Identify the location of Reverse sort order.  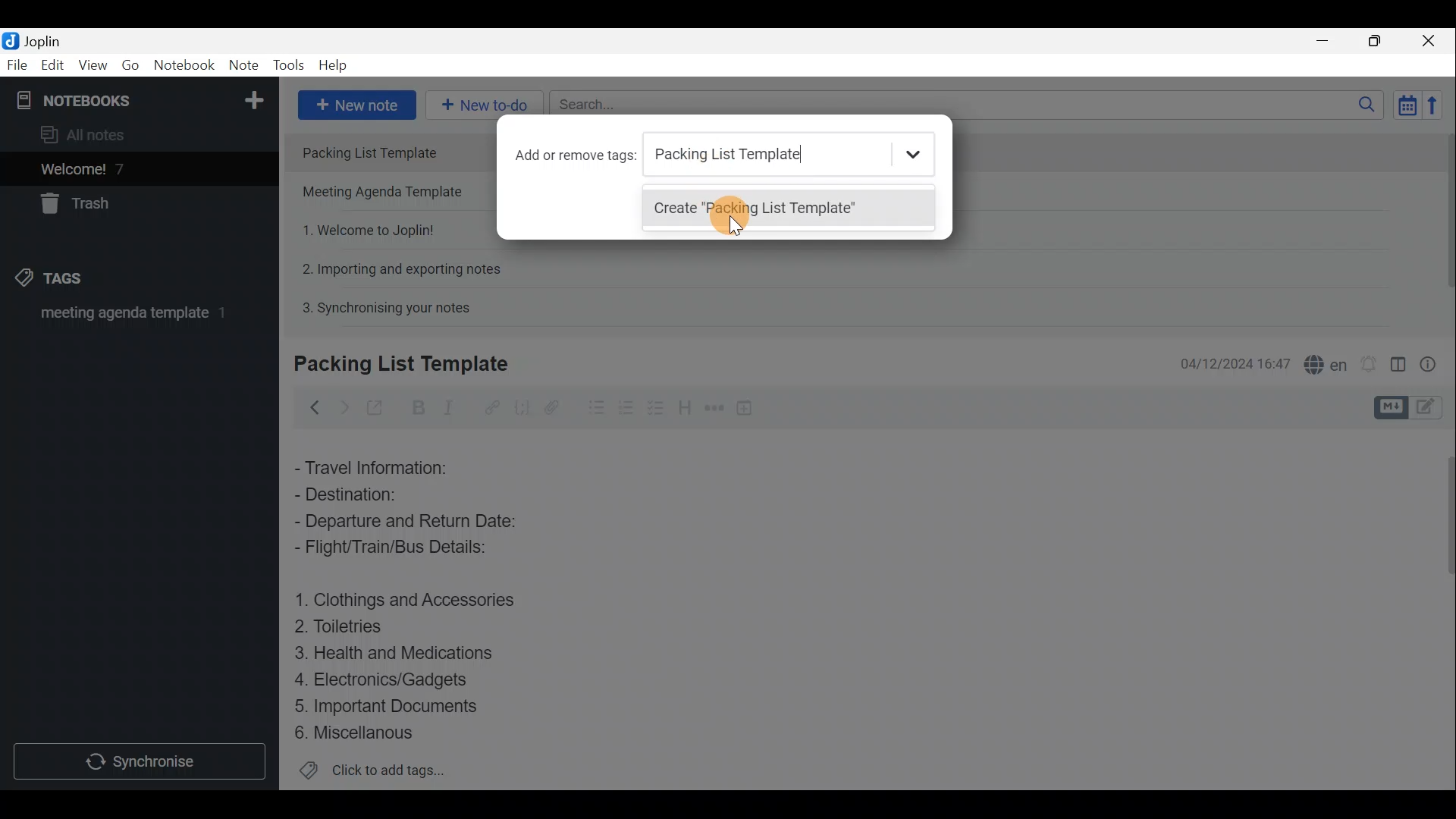
(1438, 104).